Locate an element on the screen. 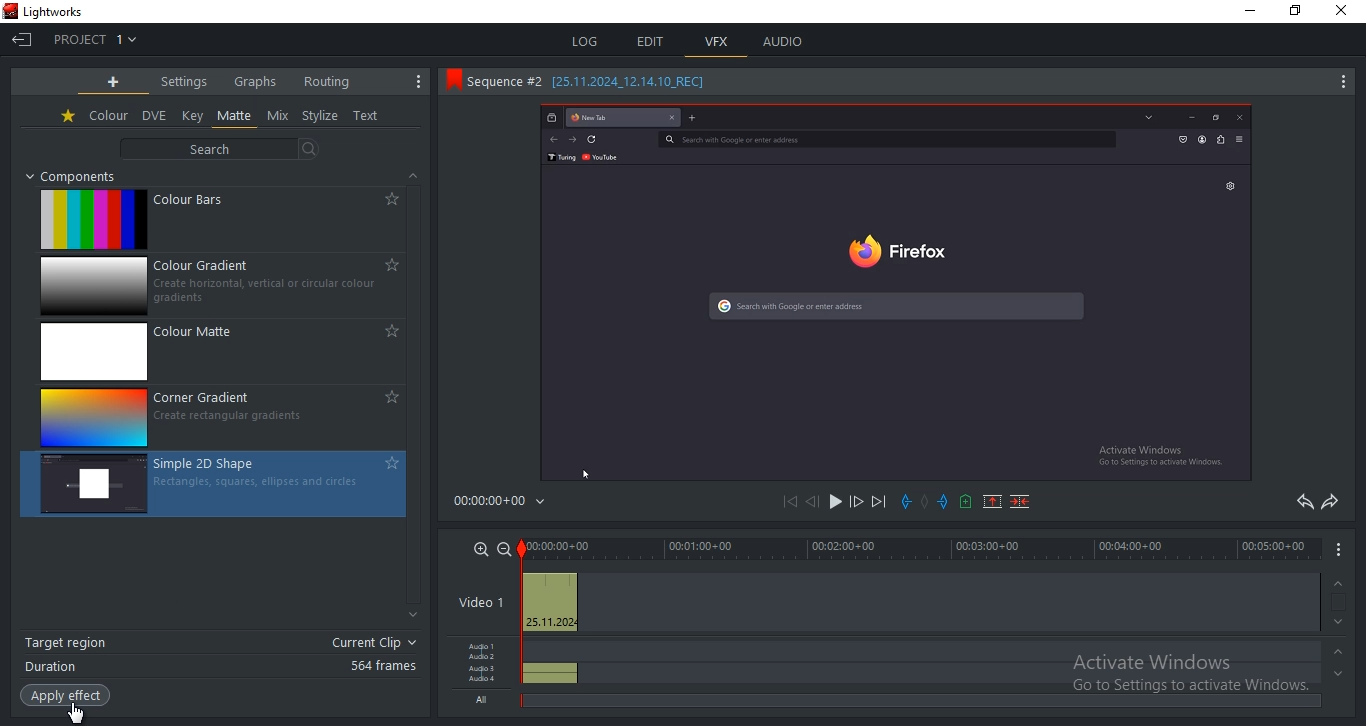  zoom out is located at coordinates (505, 548).